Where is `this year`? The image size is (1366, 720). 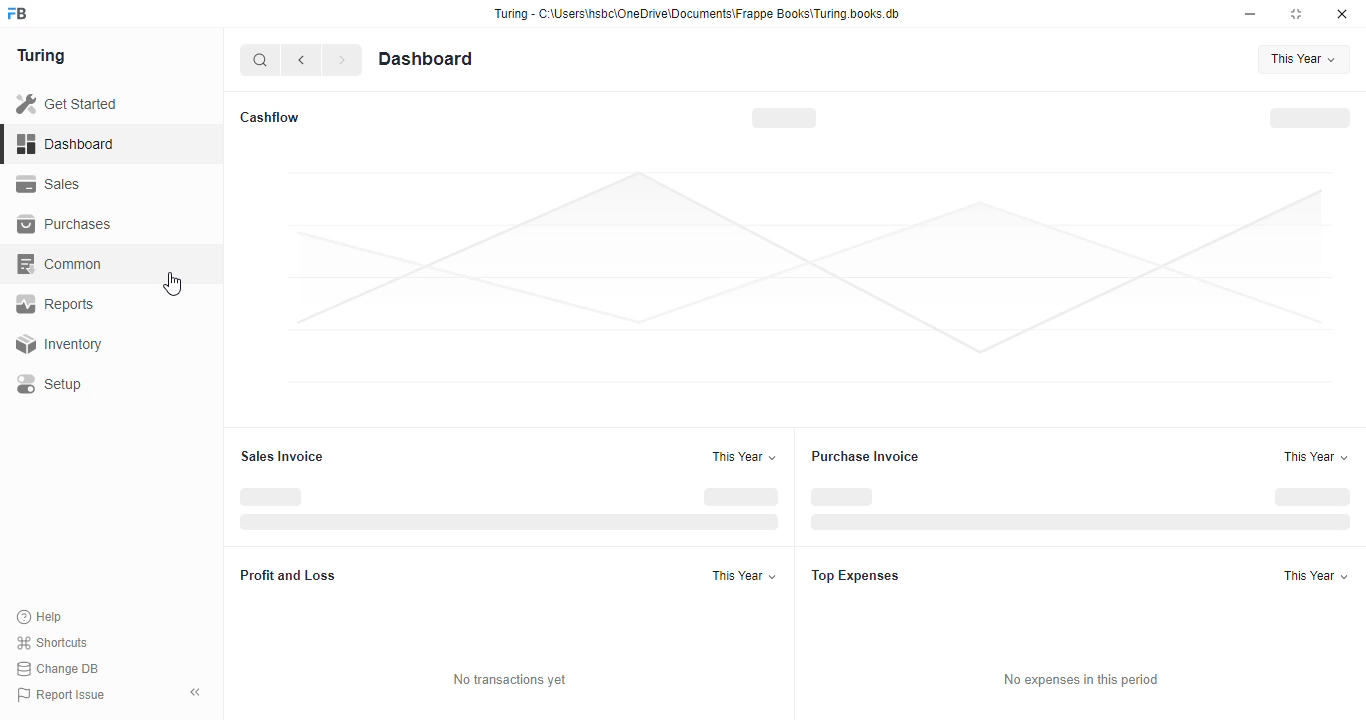
this year is located at coordinates (1304, 59).